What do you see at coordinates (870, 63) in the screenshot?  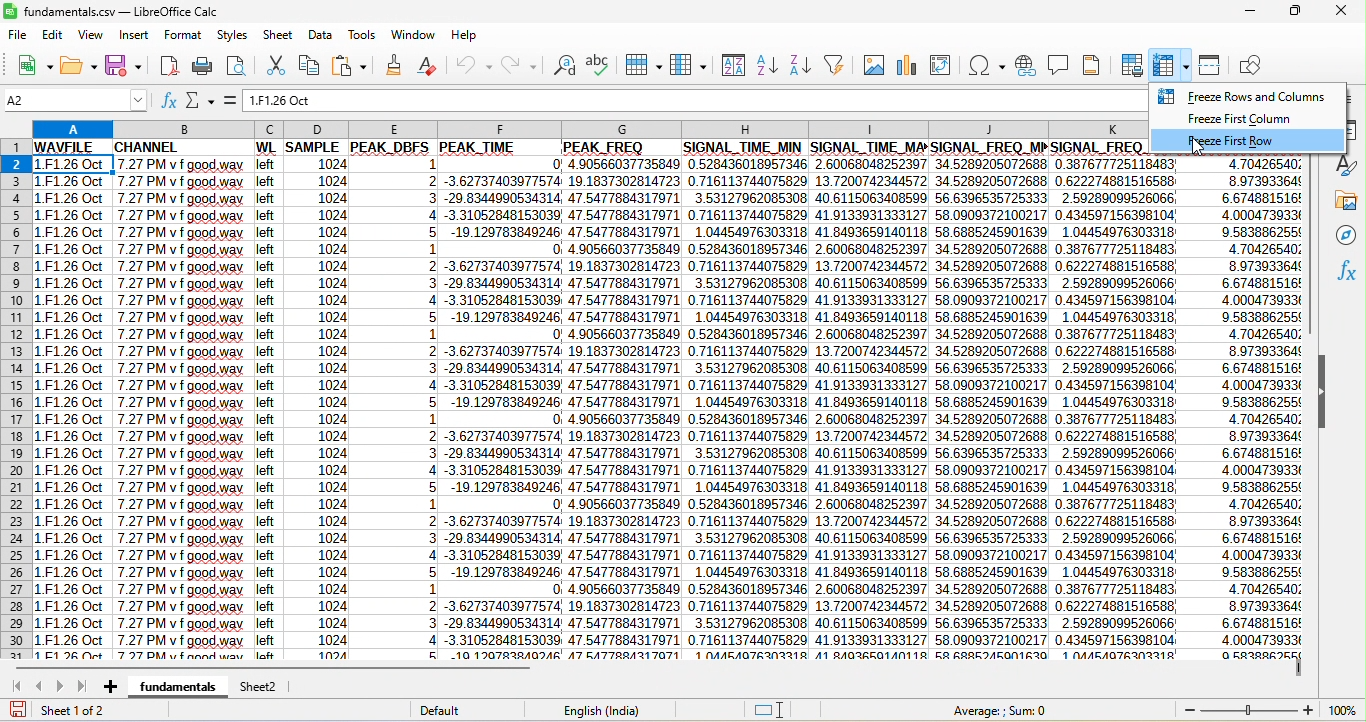 I see `image` at bounding box center [870, 63].